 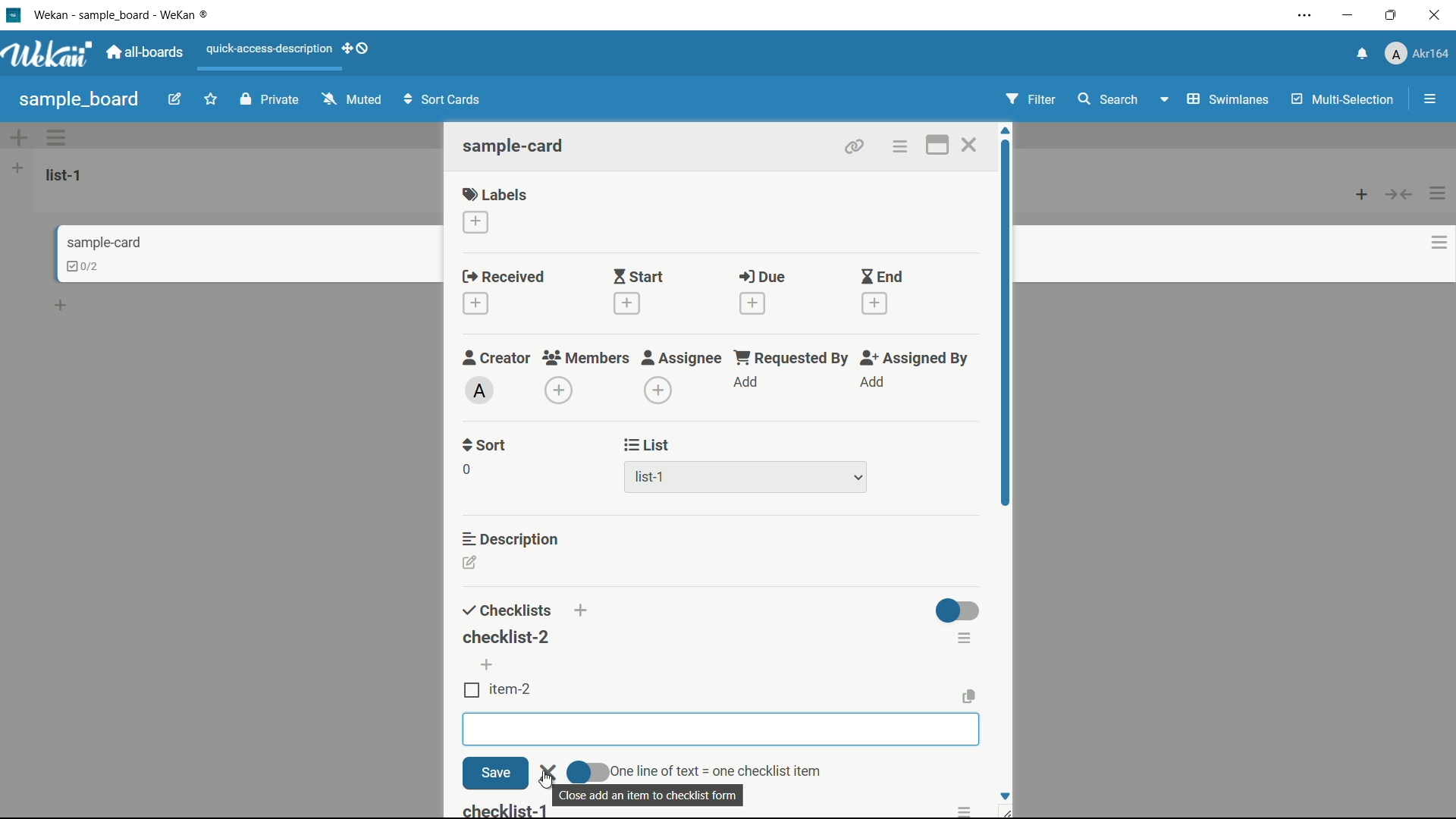 I want to click on card name, so click(x=104, y=242).